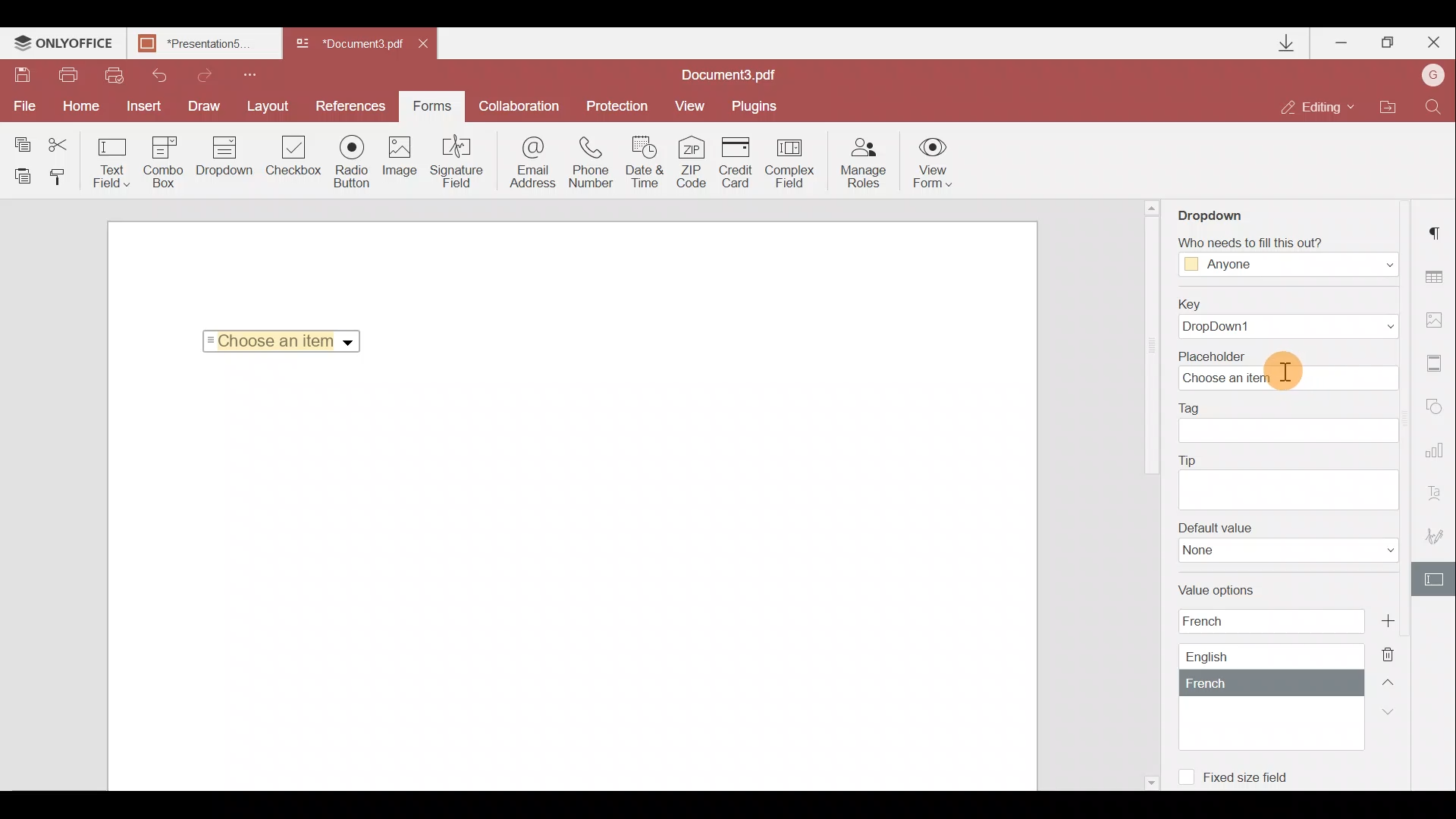 Image resolution: width=1456 pixels, height=819 pixels. I want to click on Save, so click(21, 77).